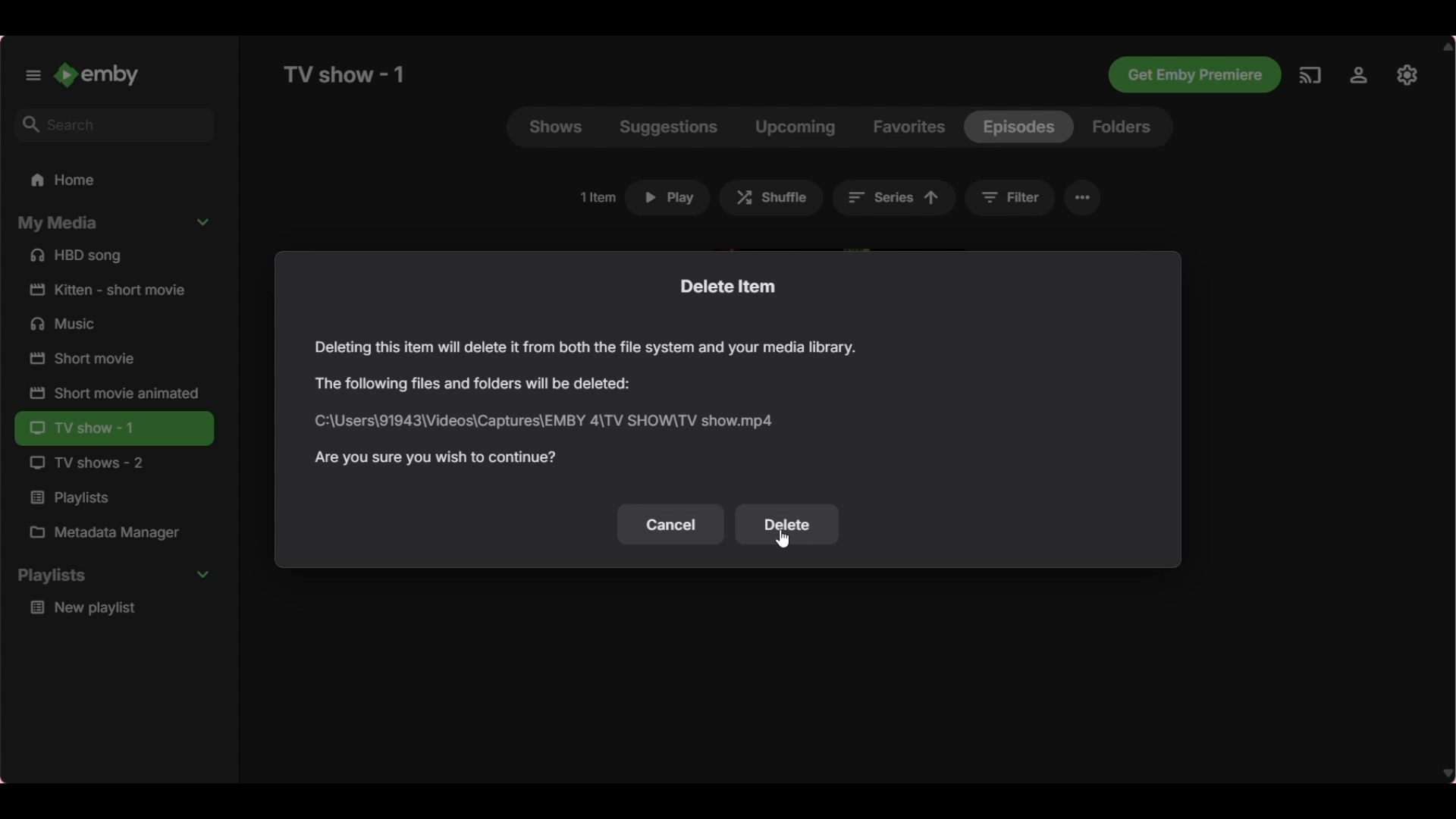 The image size is (1456, 819). I want to click on Shuffle episodes, so click(772, 198).